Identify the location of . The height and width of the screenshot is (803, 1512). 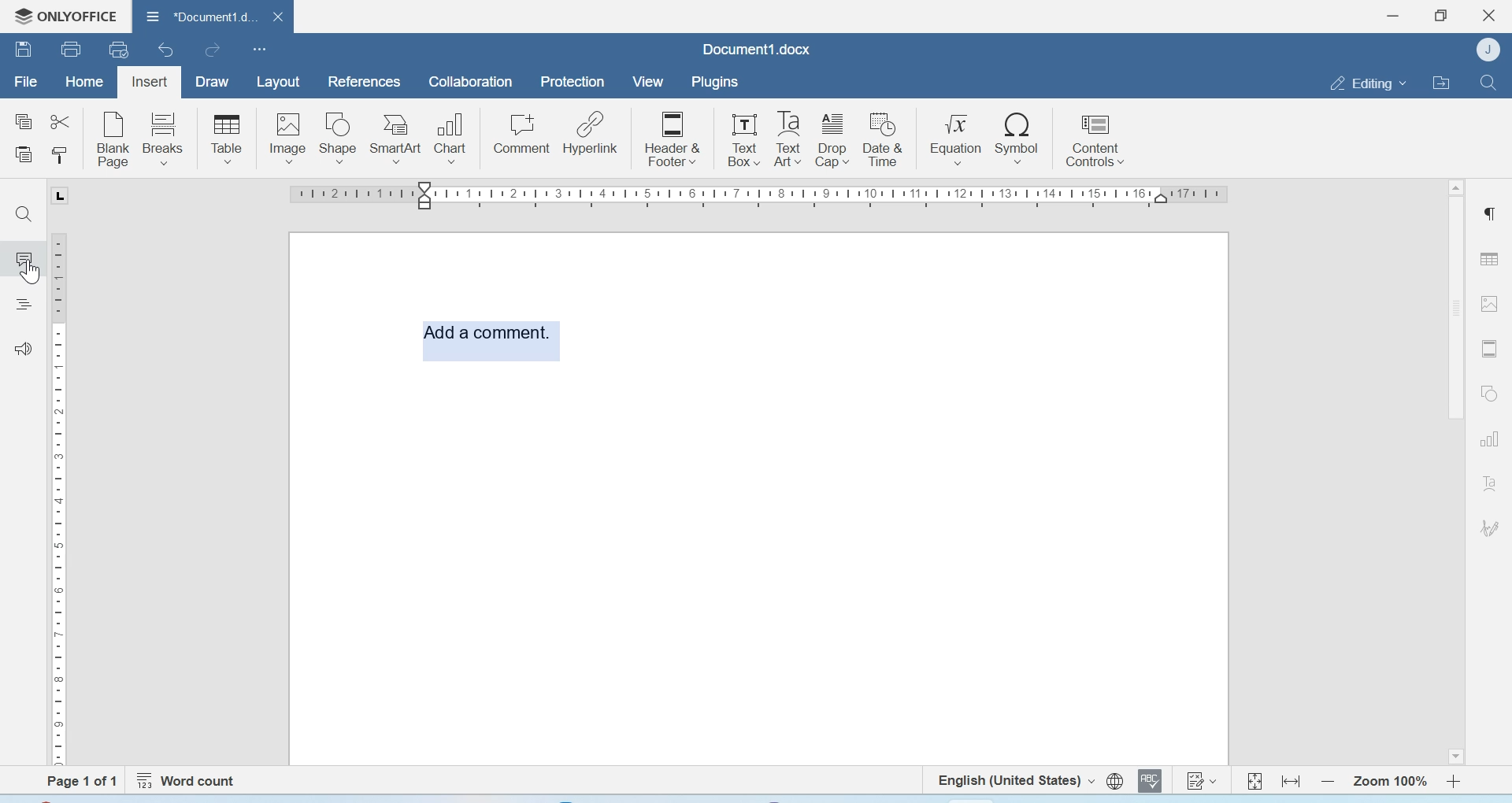
(1488, 50).